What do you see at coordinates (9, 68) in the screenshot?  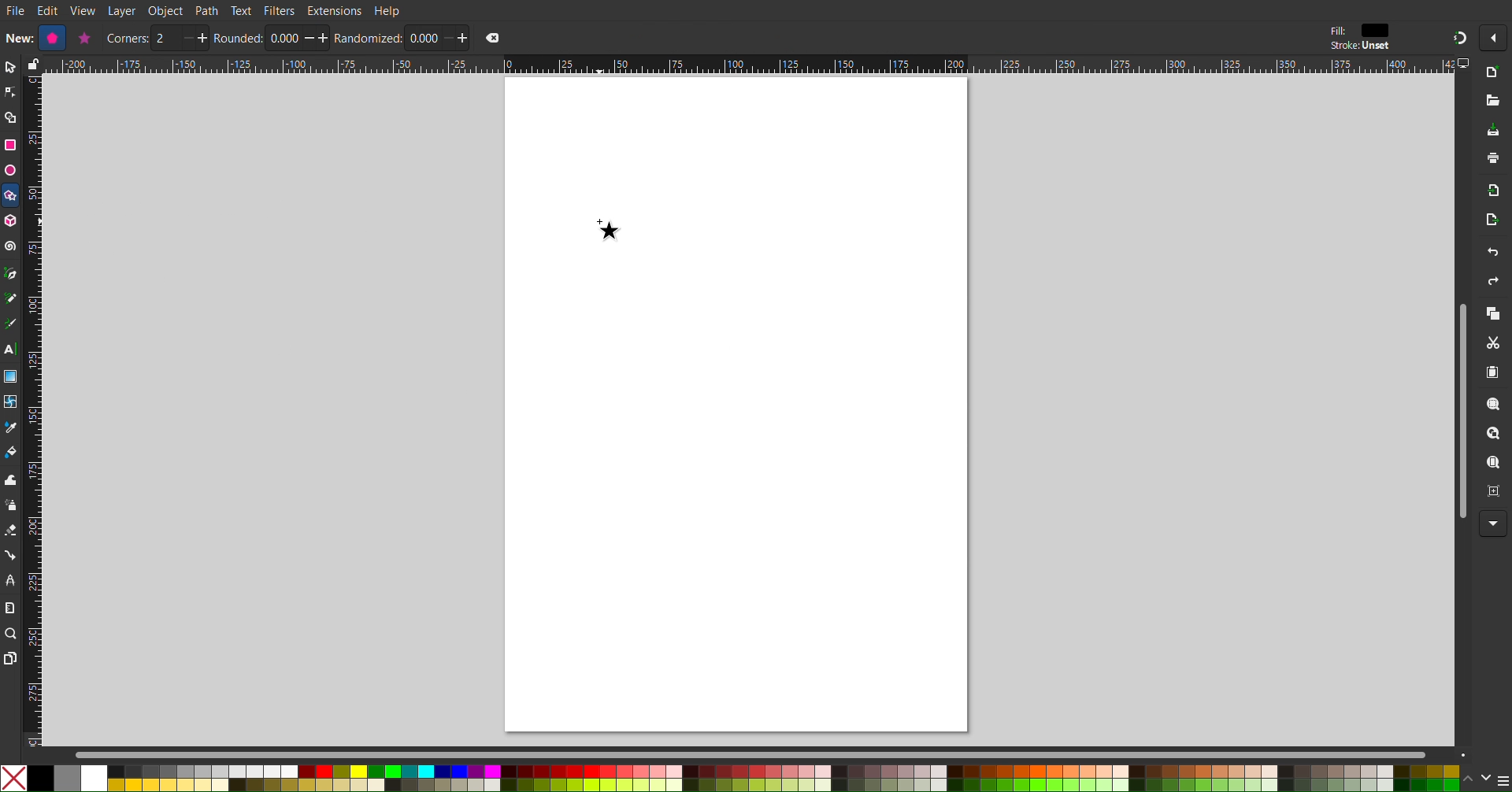 I see `Select` at bounding box center [9, 68].